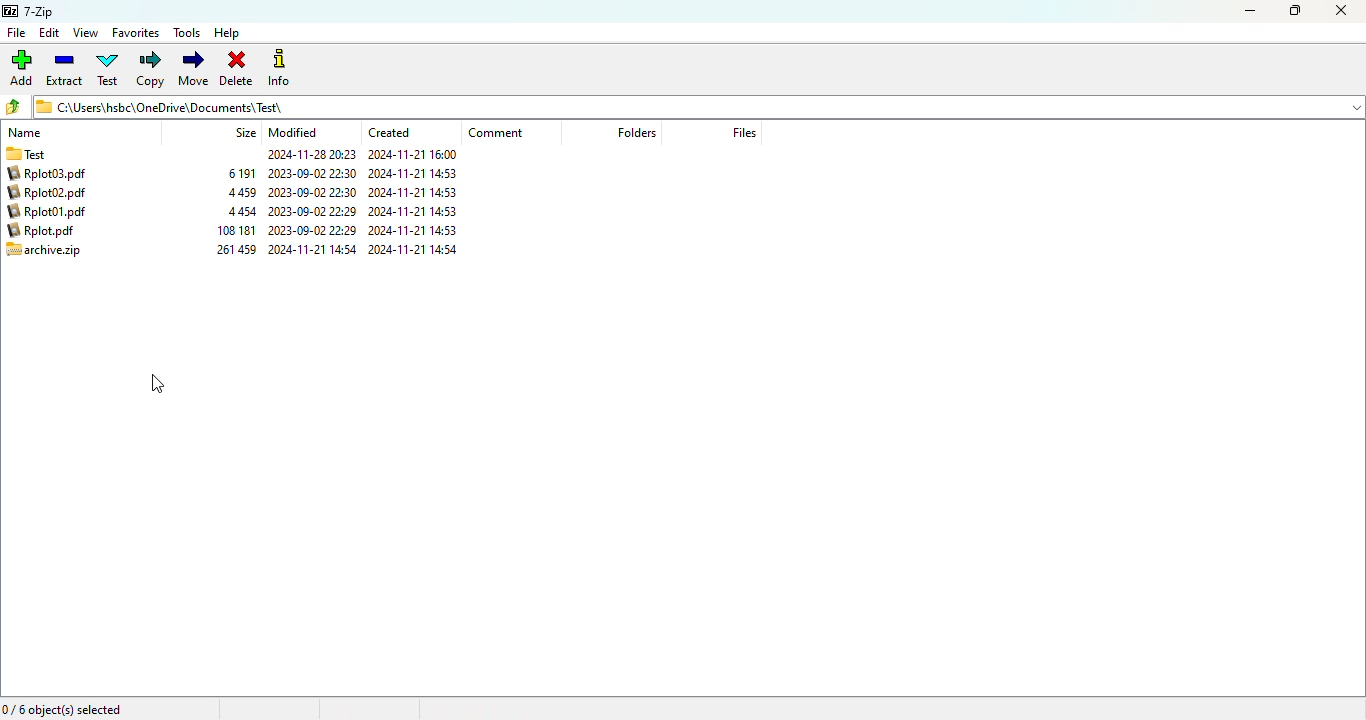 This screenshot has height=720, width=1366. What do you see at coordinates (70, 174) in the screenshot?
I see `Test.zip ` at bounding box center [70, 174].